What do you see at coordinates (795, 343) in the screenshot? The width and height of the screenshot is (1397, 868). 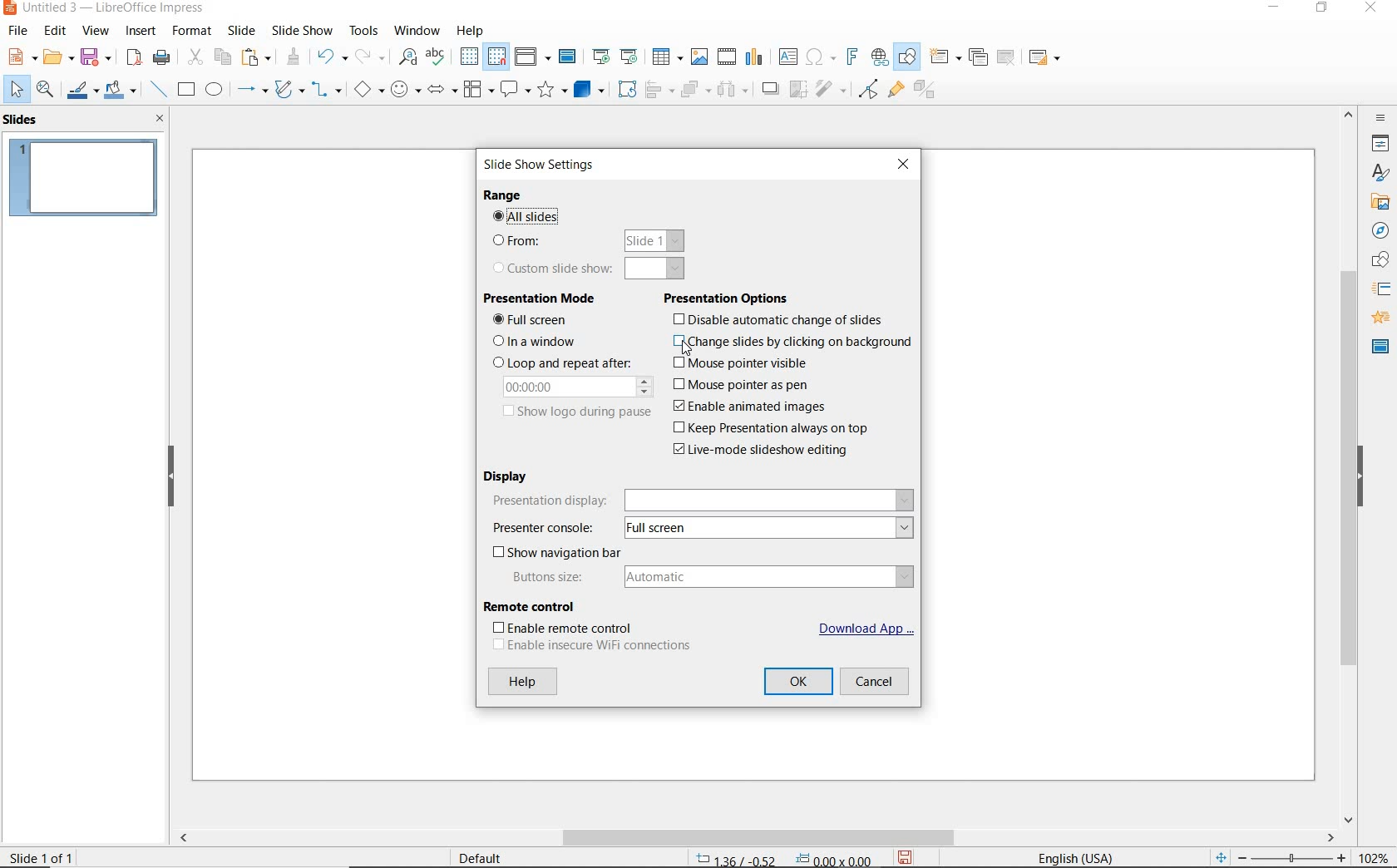 I see `change slides by clicking on background` at bounding box center [795, 343].